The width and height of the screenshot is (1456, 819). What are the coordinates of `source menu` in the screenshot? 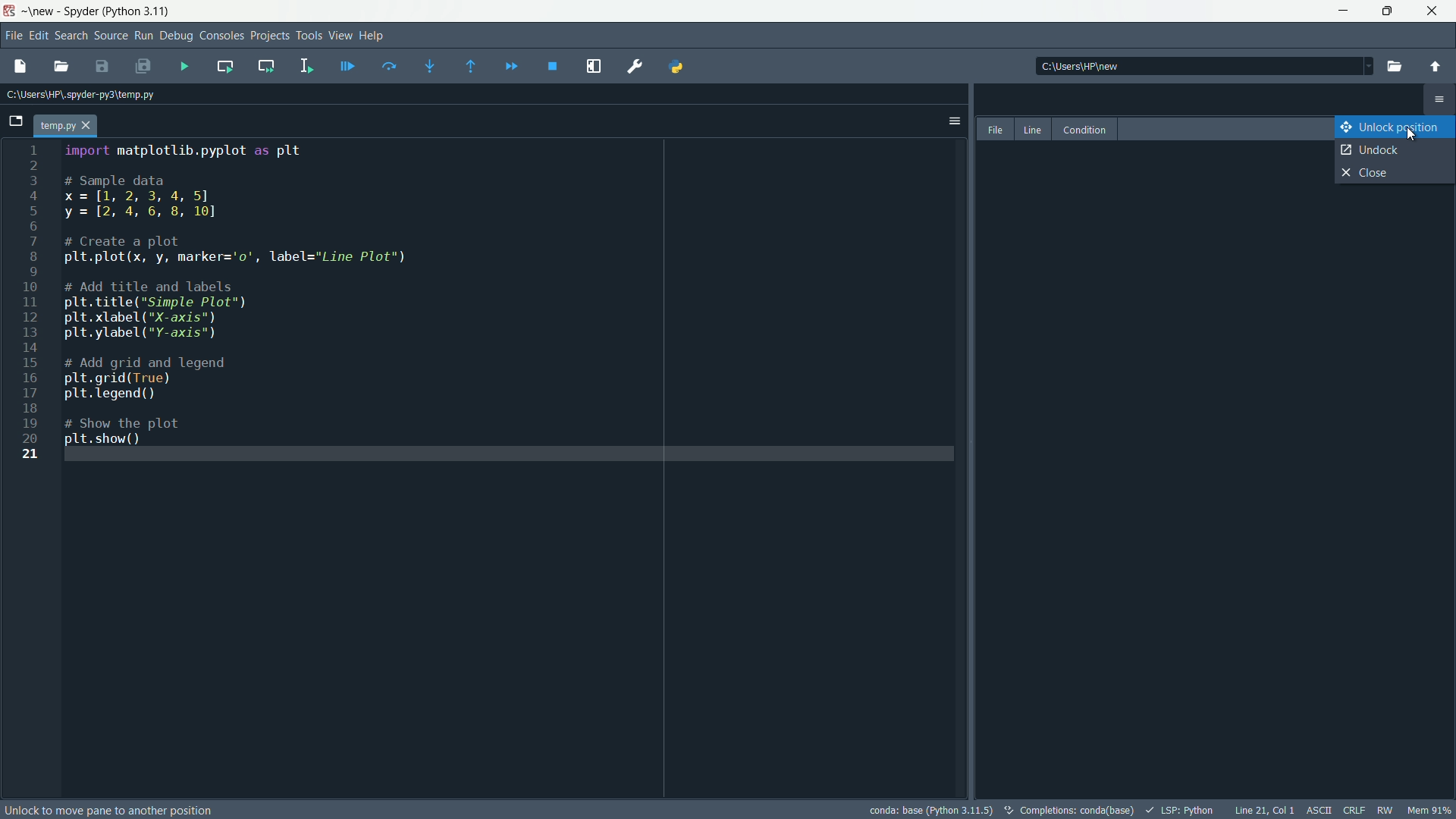 It's located at (109, 36).